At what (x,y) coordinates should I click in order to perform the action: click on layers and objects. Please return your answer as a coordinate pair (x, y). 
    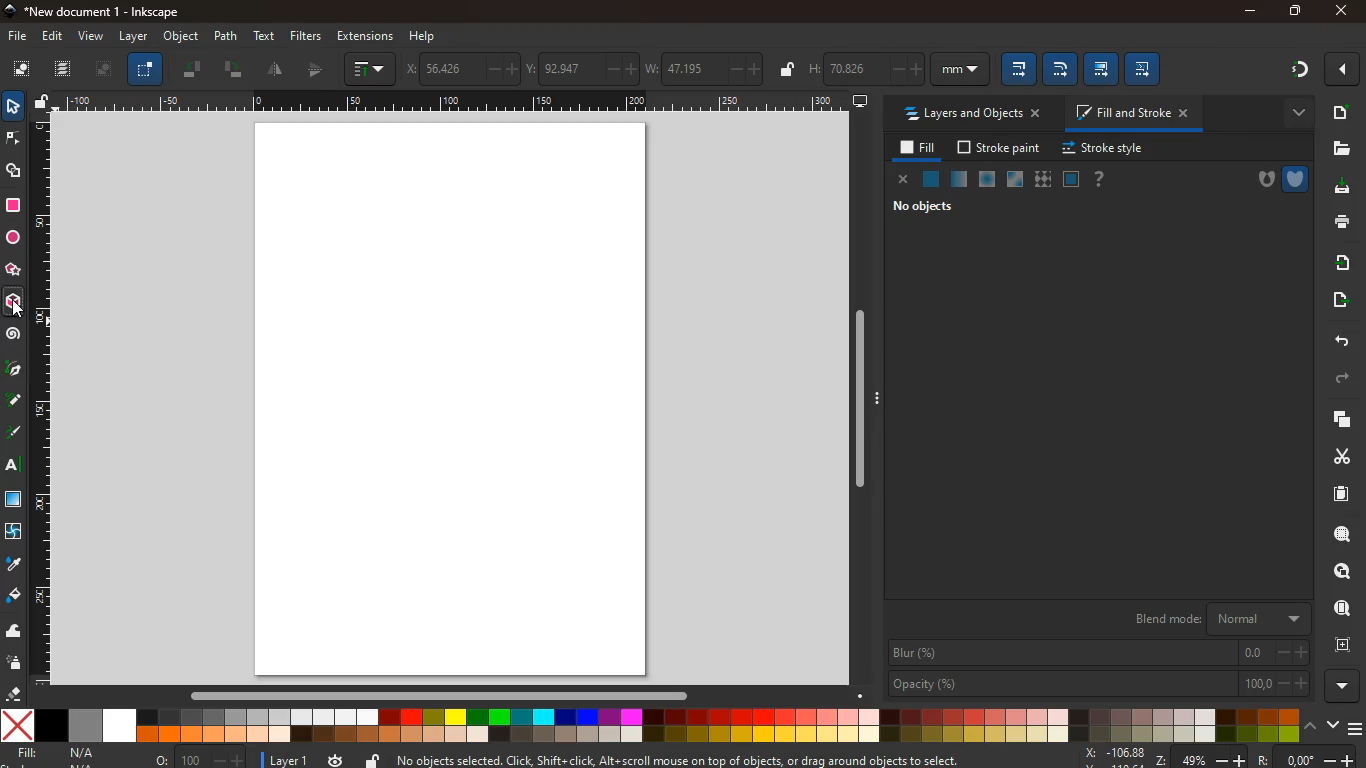
    Looking at the image, I should click on (978, 115).